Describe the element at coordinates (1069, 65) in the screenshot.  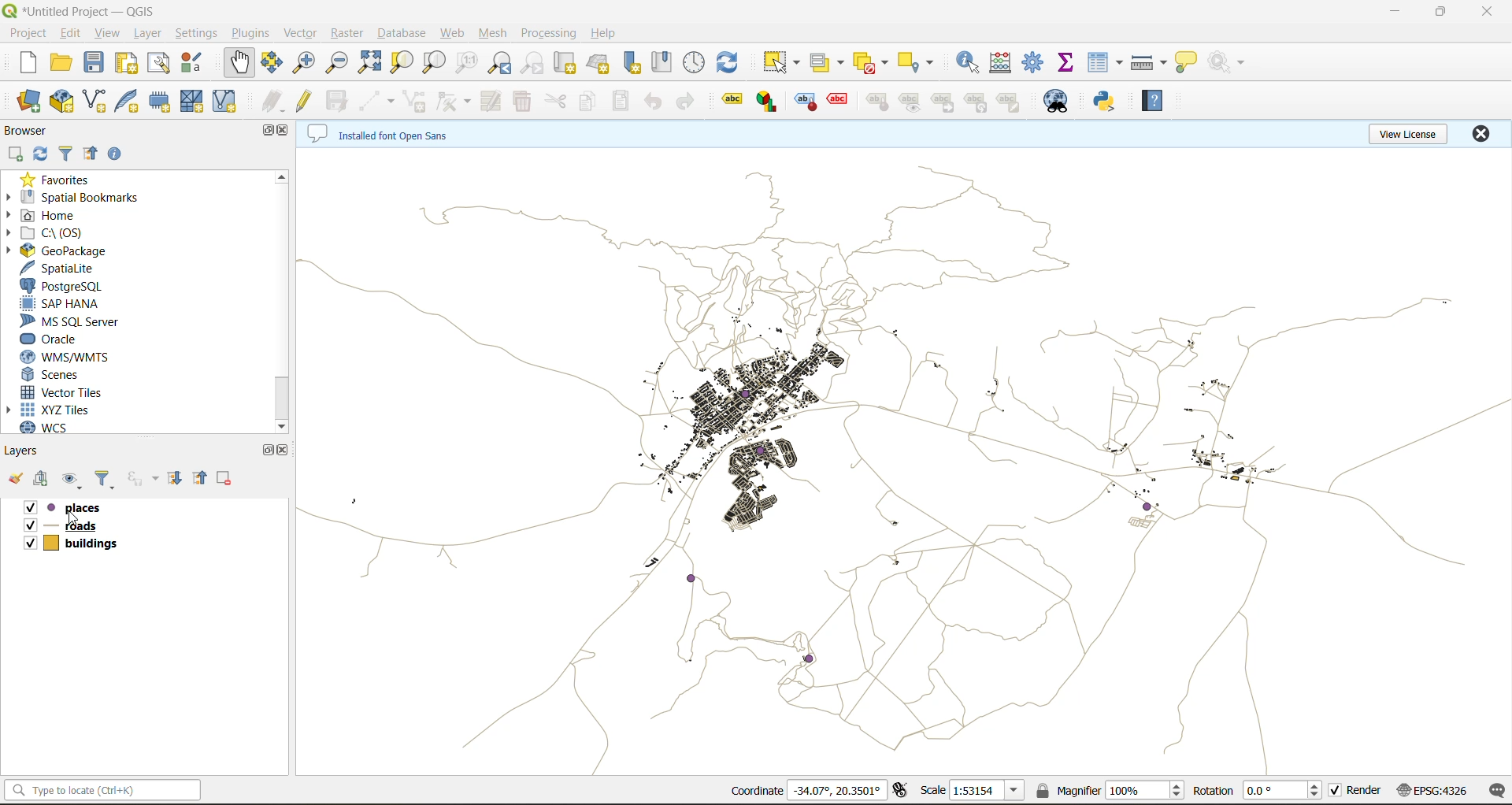
I see `statistical summary` at that location.